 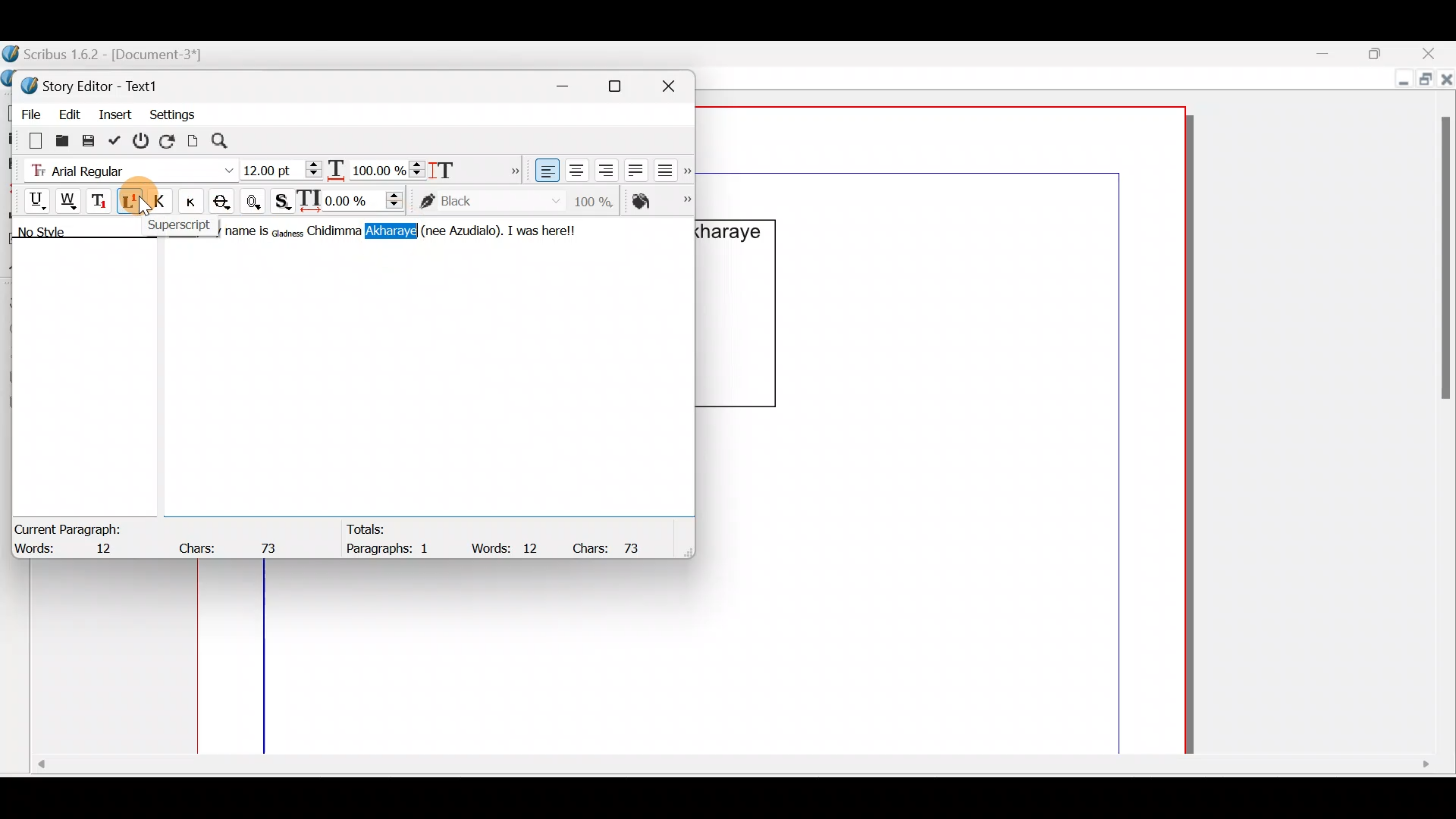 What do you see at coordinates (376, 167) in the screenshot?
I see `Scaling width of characters` at bounding box center [376, 167].